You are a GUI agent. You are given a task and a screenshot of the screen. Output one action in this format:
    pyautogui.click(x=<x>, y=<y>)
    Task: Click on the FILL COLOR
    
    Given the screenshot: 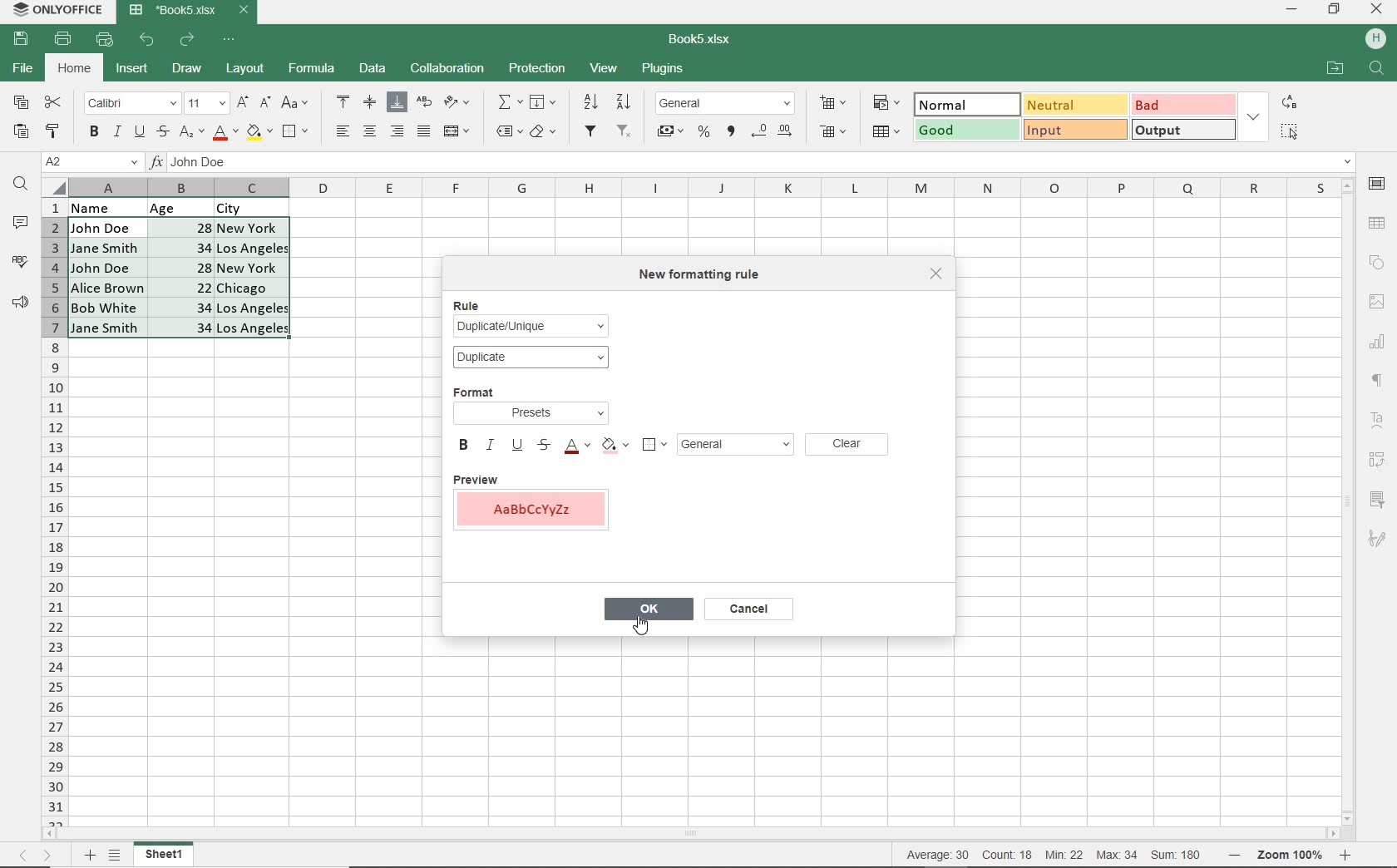 What is the action you would take?
    pyautogui.click(x=259, y=131)
    